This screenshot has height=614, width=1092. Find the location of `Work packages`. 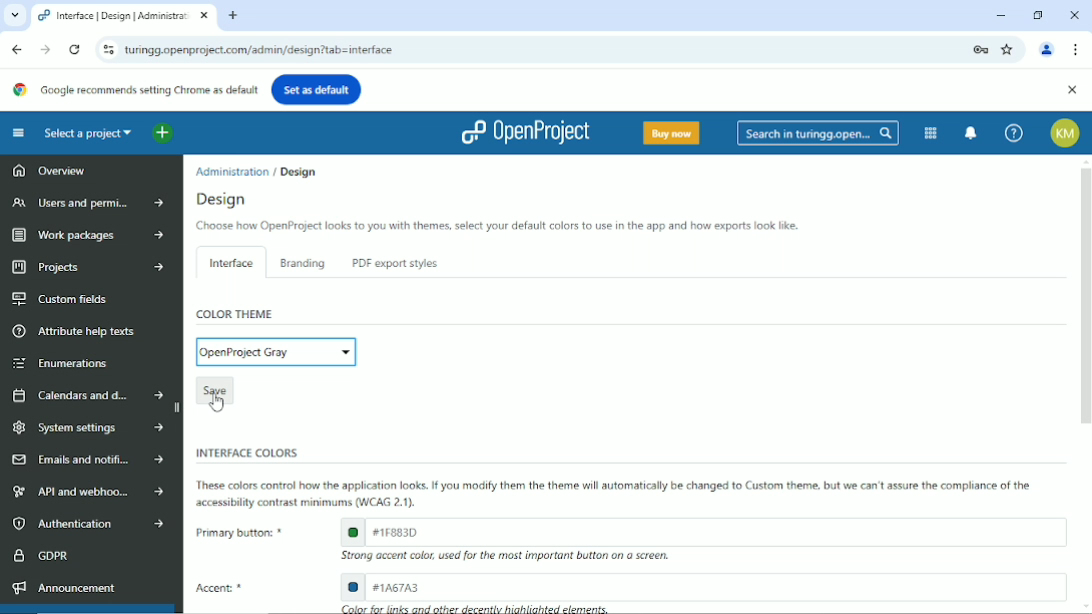

Work packages is located at coordinates (83, 235).